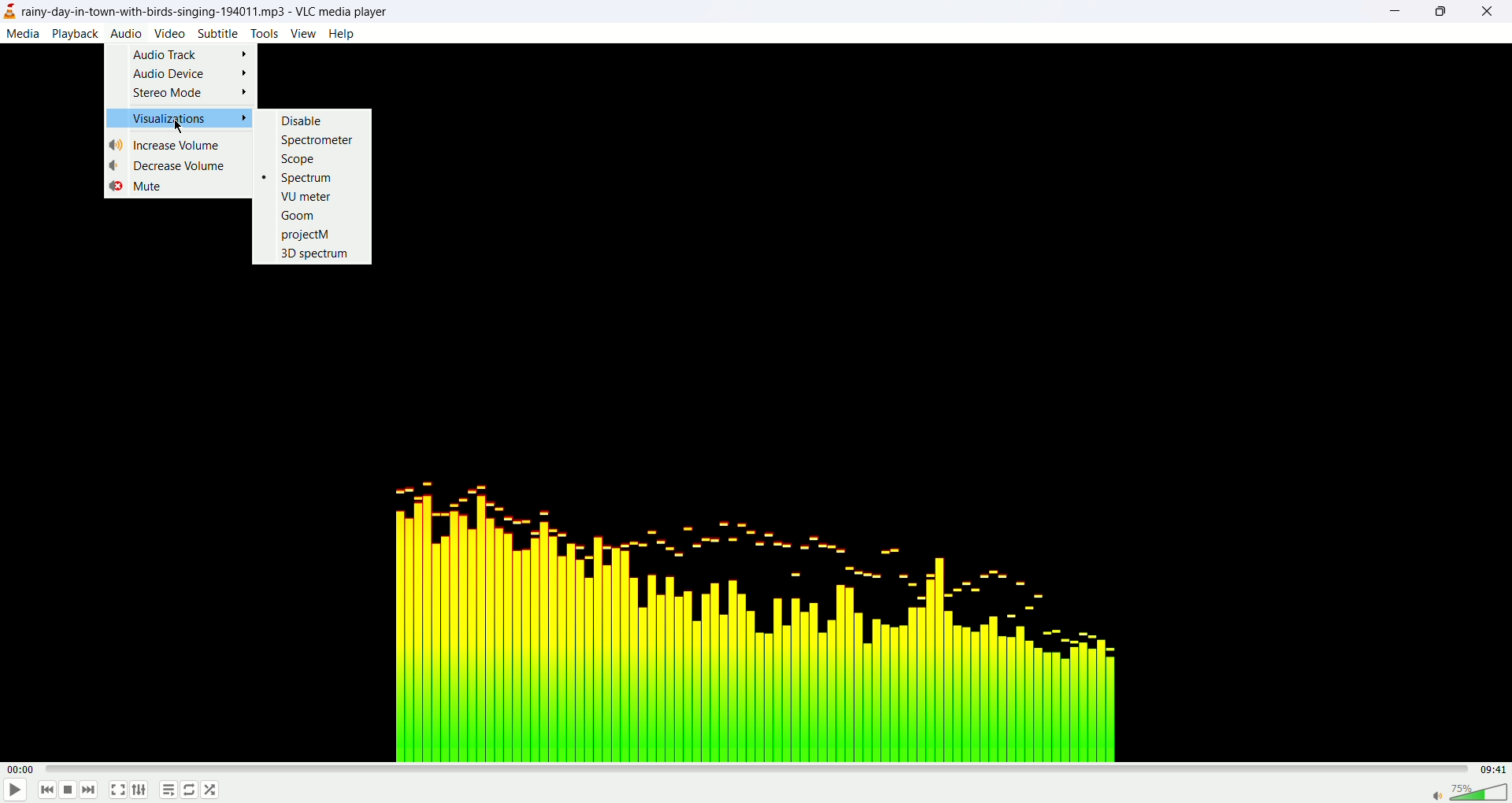  Describe the element at coordinates (180, 128) in the screenshot. I see `cursor` at that location.